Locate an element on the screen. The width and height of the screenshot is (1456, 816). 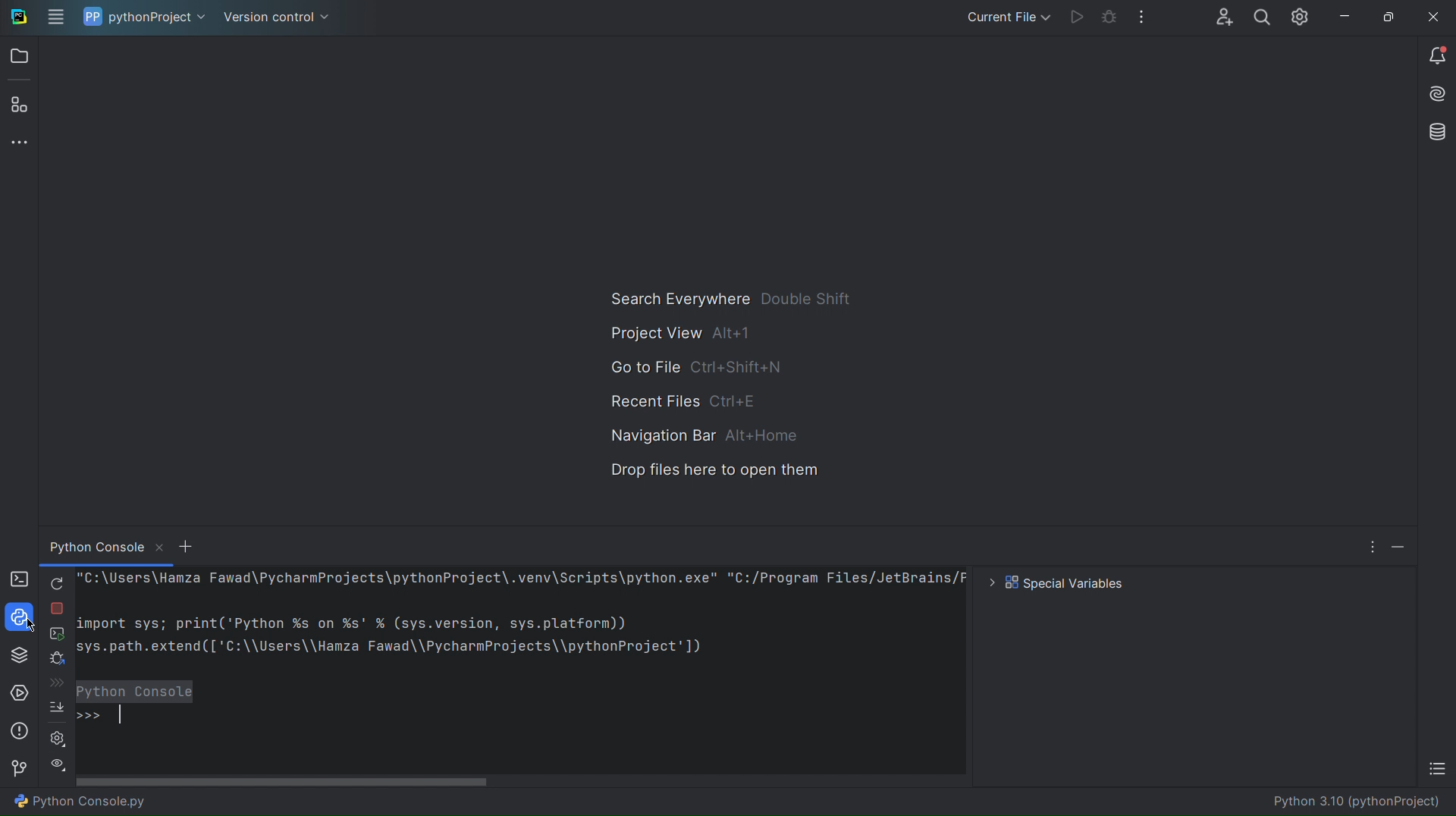
Account is located at coordinates (1222, 17).